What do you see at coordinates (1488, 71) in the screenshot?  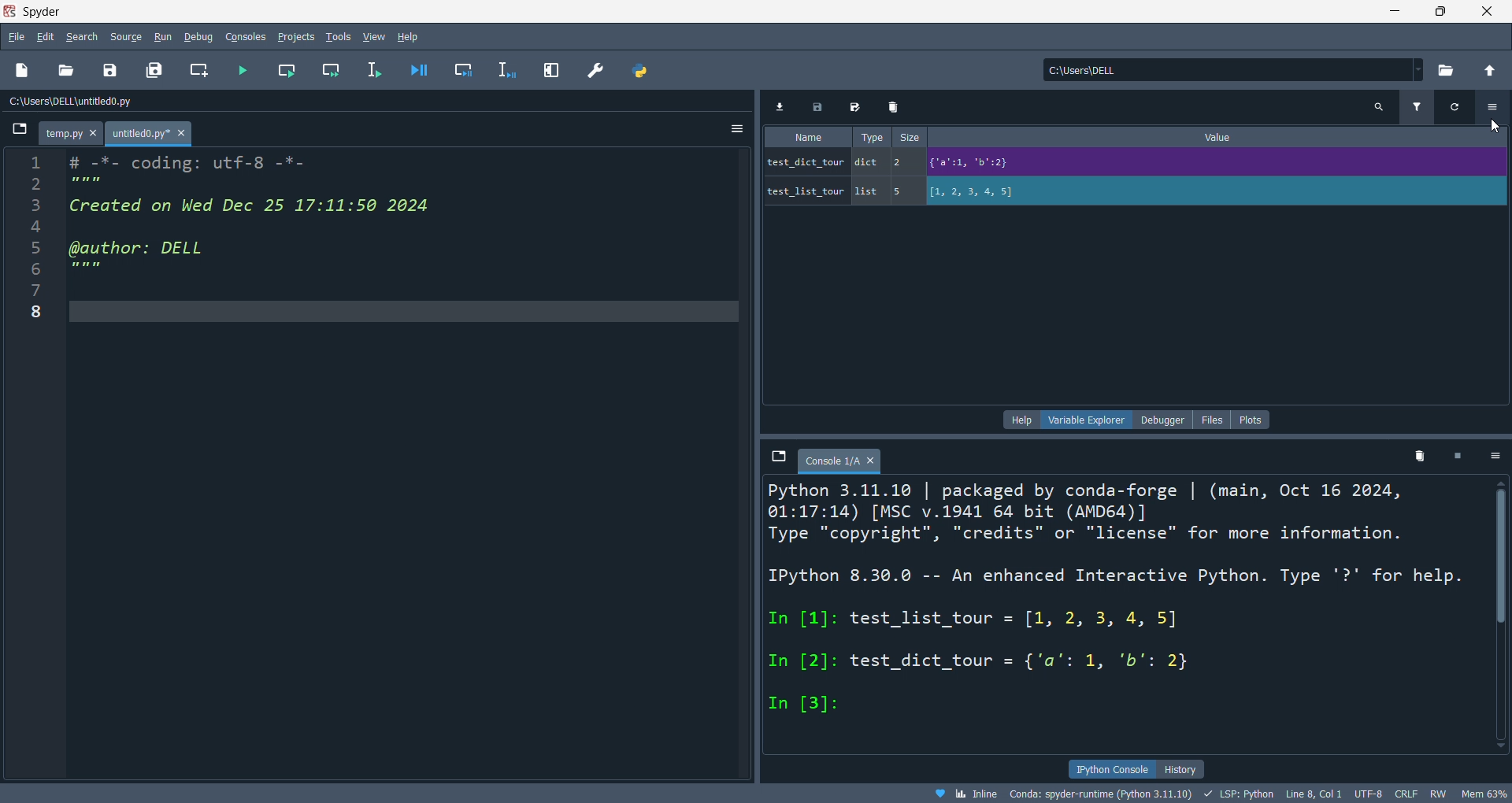 I see `open parent directory` at bounding box center [1488, 71].